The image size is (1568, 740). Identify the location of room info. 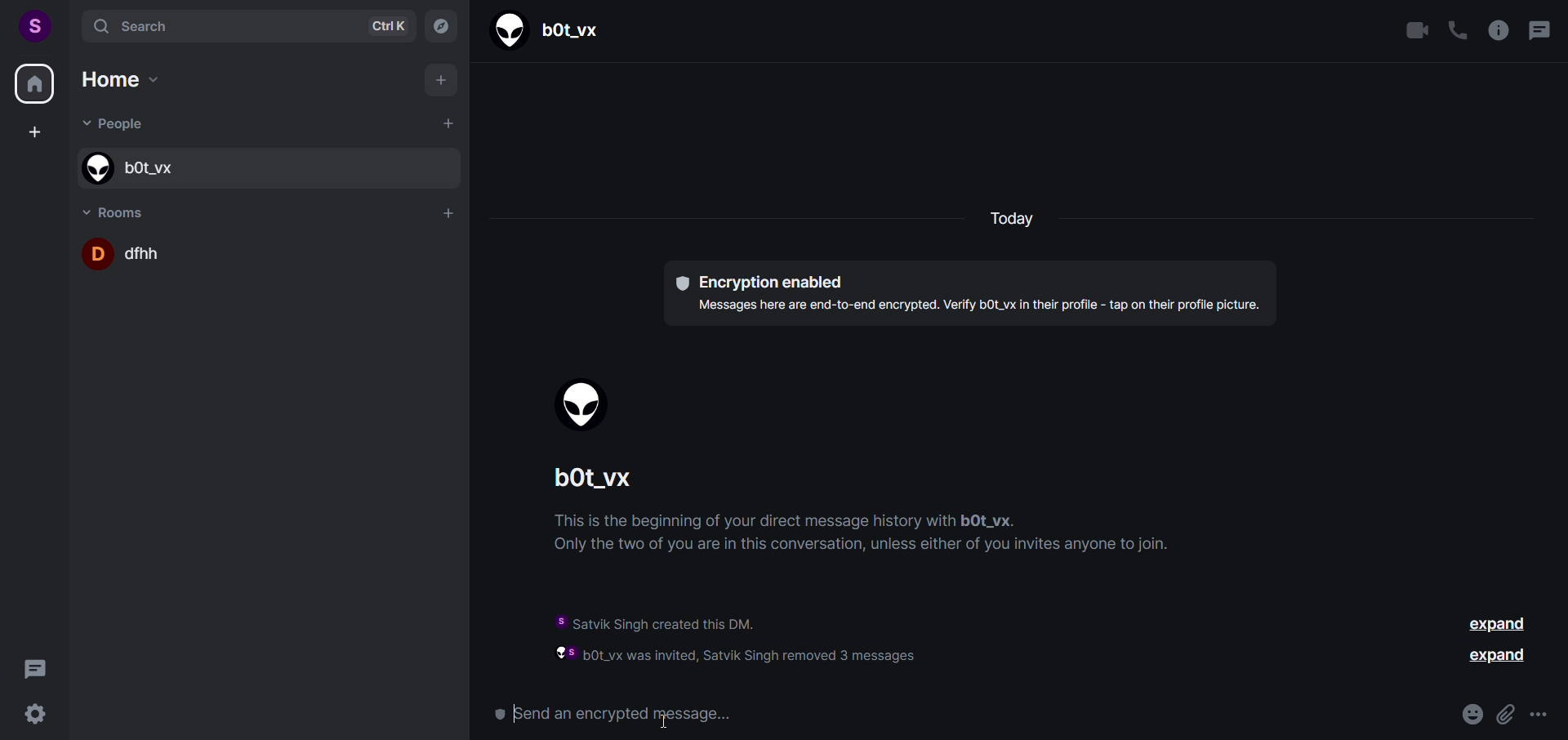
(1496, 30).